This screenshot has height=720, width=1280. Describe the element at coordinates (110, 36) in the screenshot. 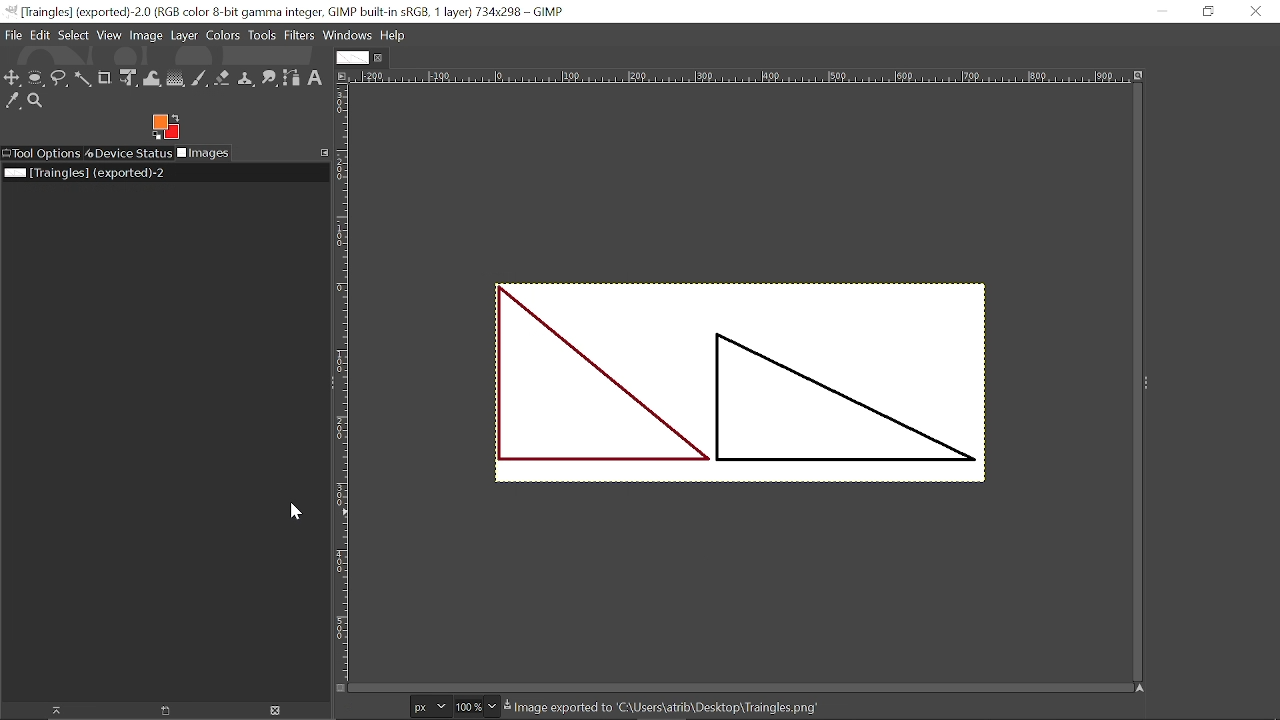

I see `View` at that location.